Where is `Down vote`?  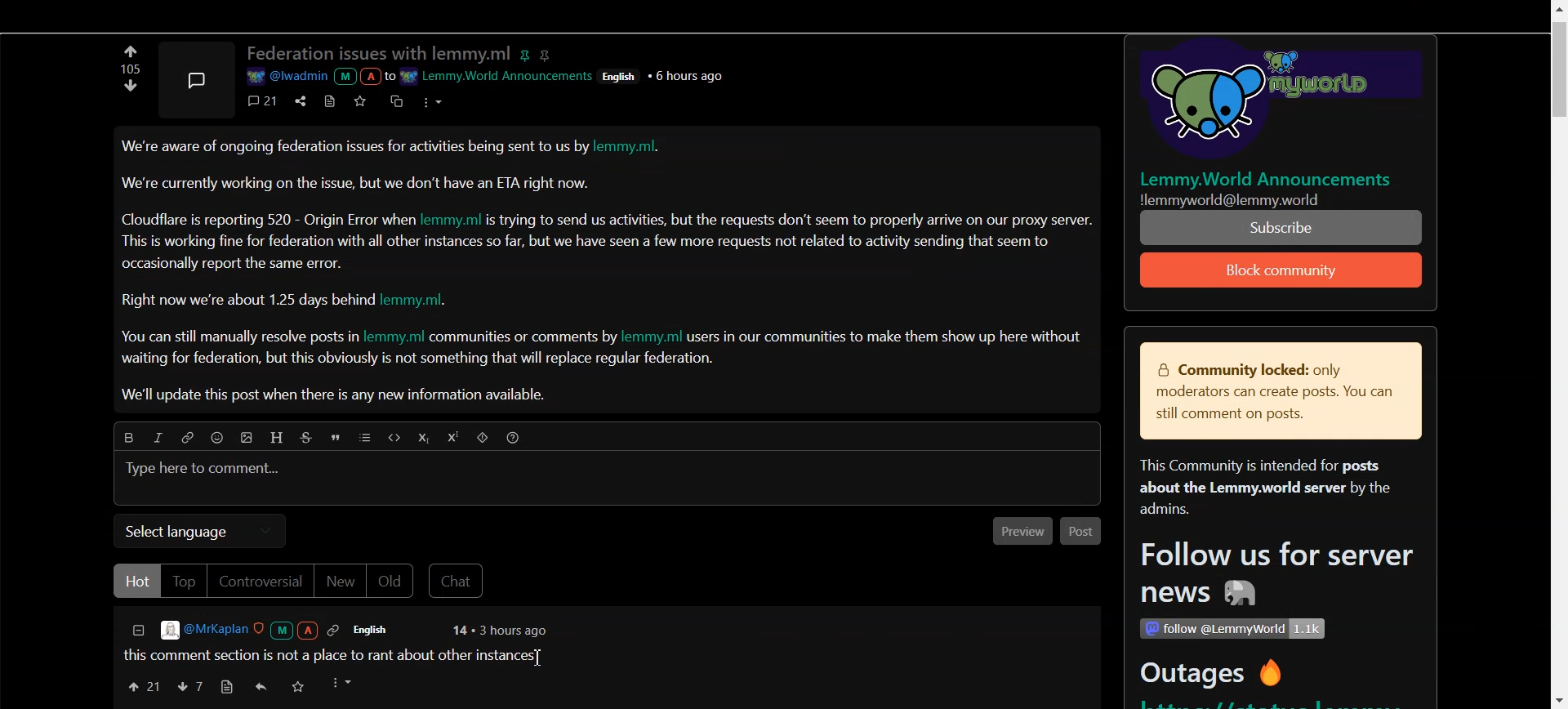
Down vote is located at coordinates (131, 51).